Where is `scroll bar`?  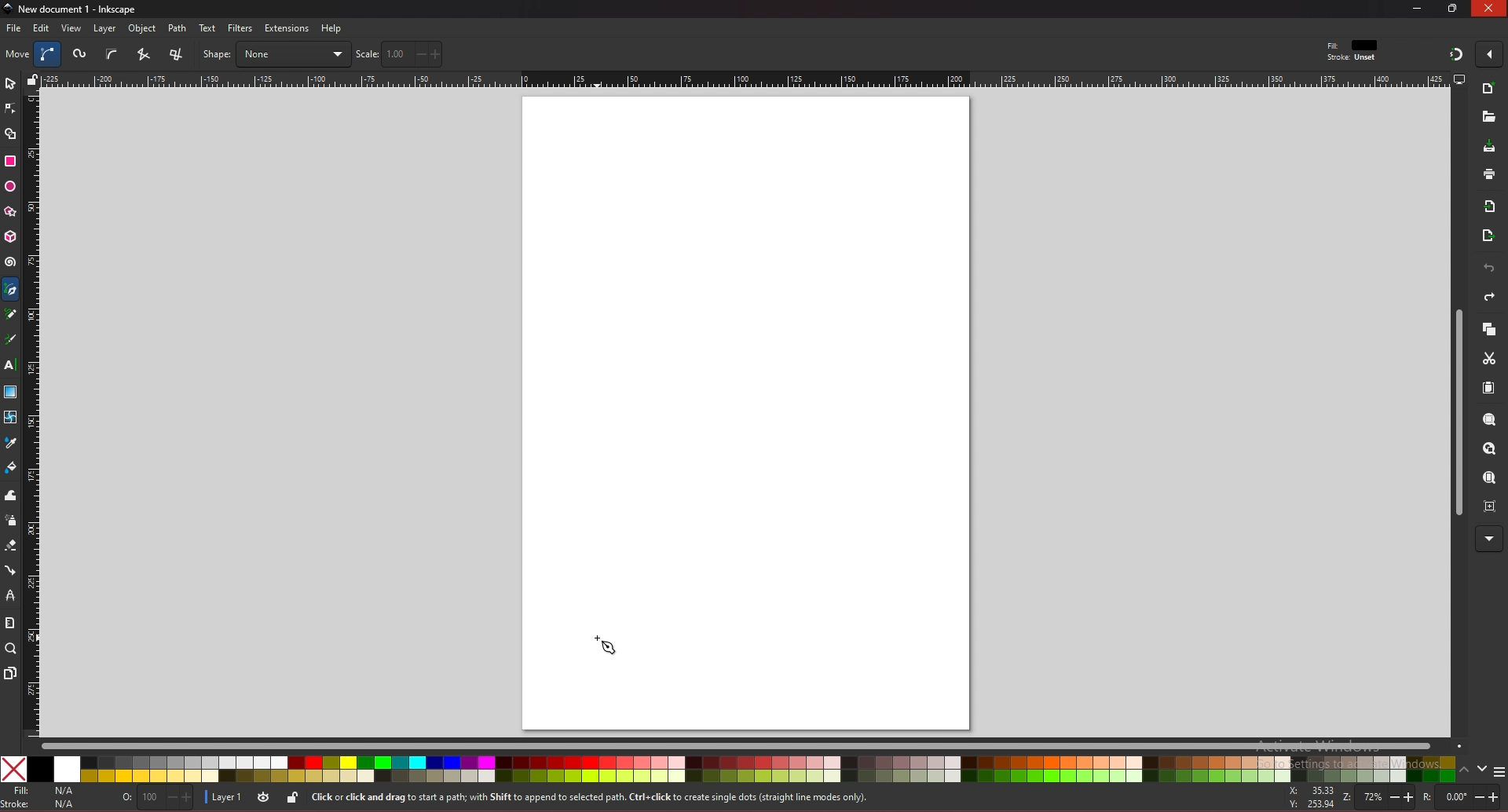 scroll bar is located at coordinates (1456, 413).